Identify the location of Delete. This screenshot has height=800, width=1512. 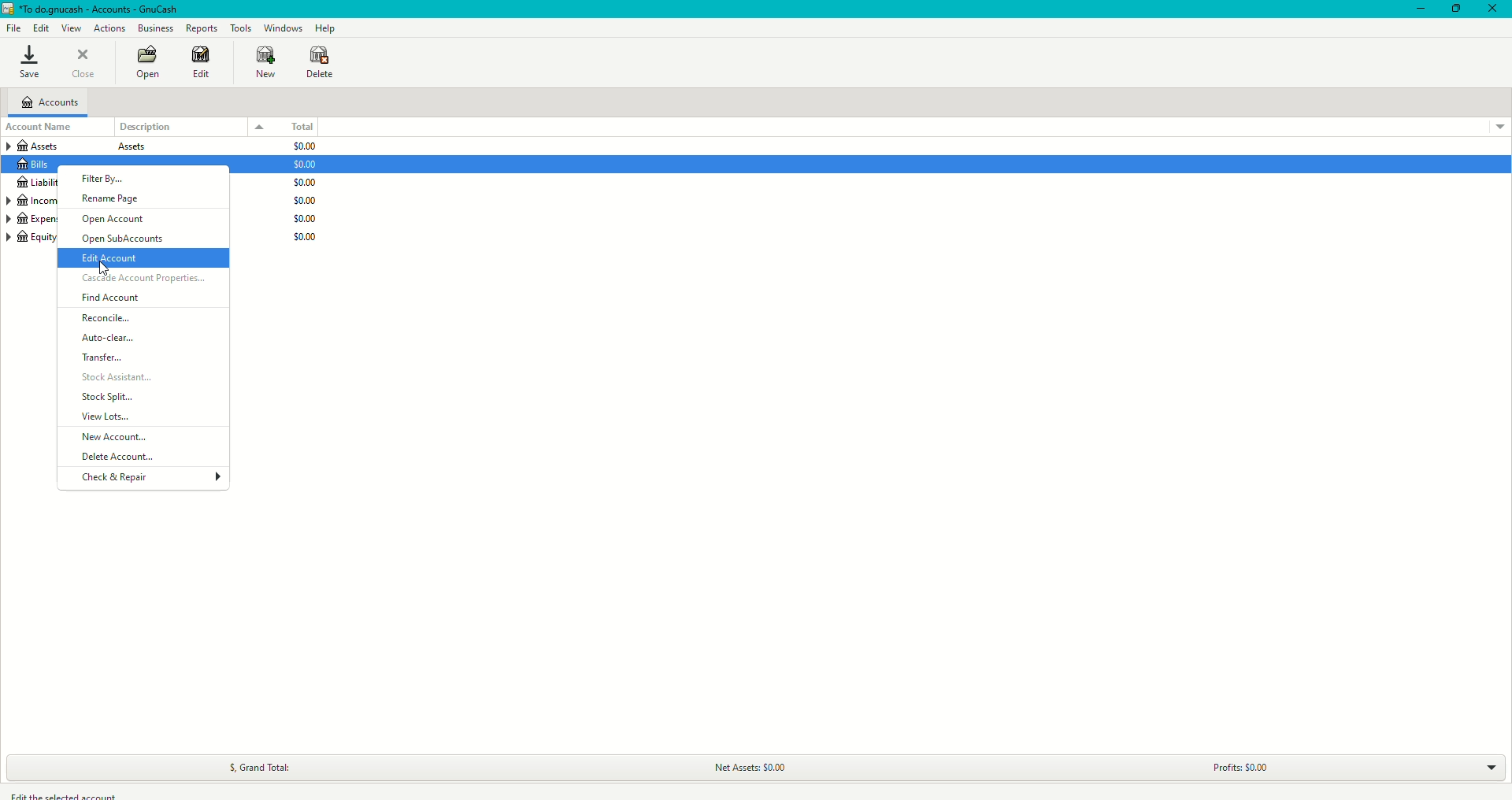
(321, 65).